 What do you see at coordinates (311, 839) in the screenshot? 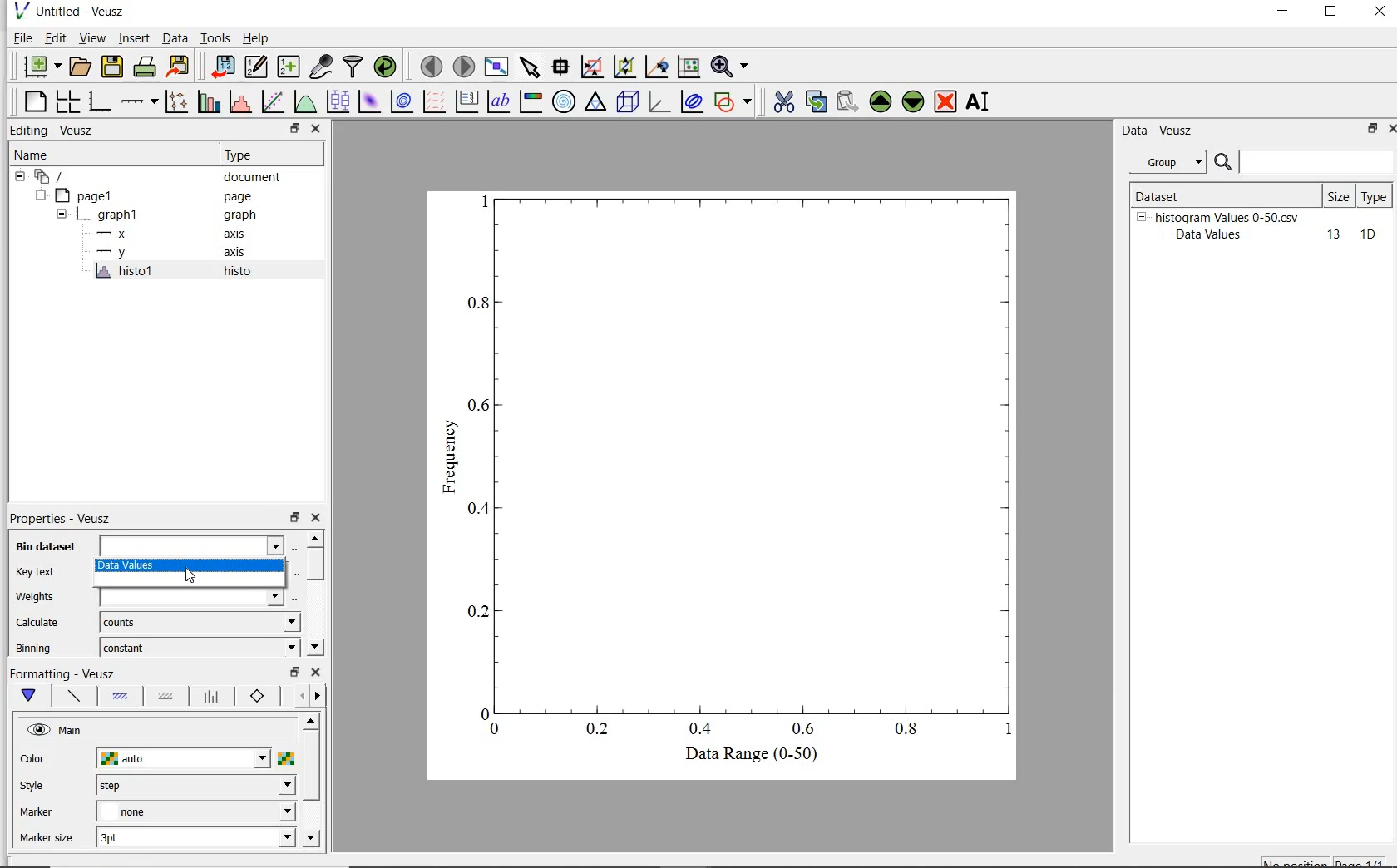
I see `move down` at bounding box center [311, 839].